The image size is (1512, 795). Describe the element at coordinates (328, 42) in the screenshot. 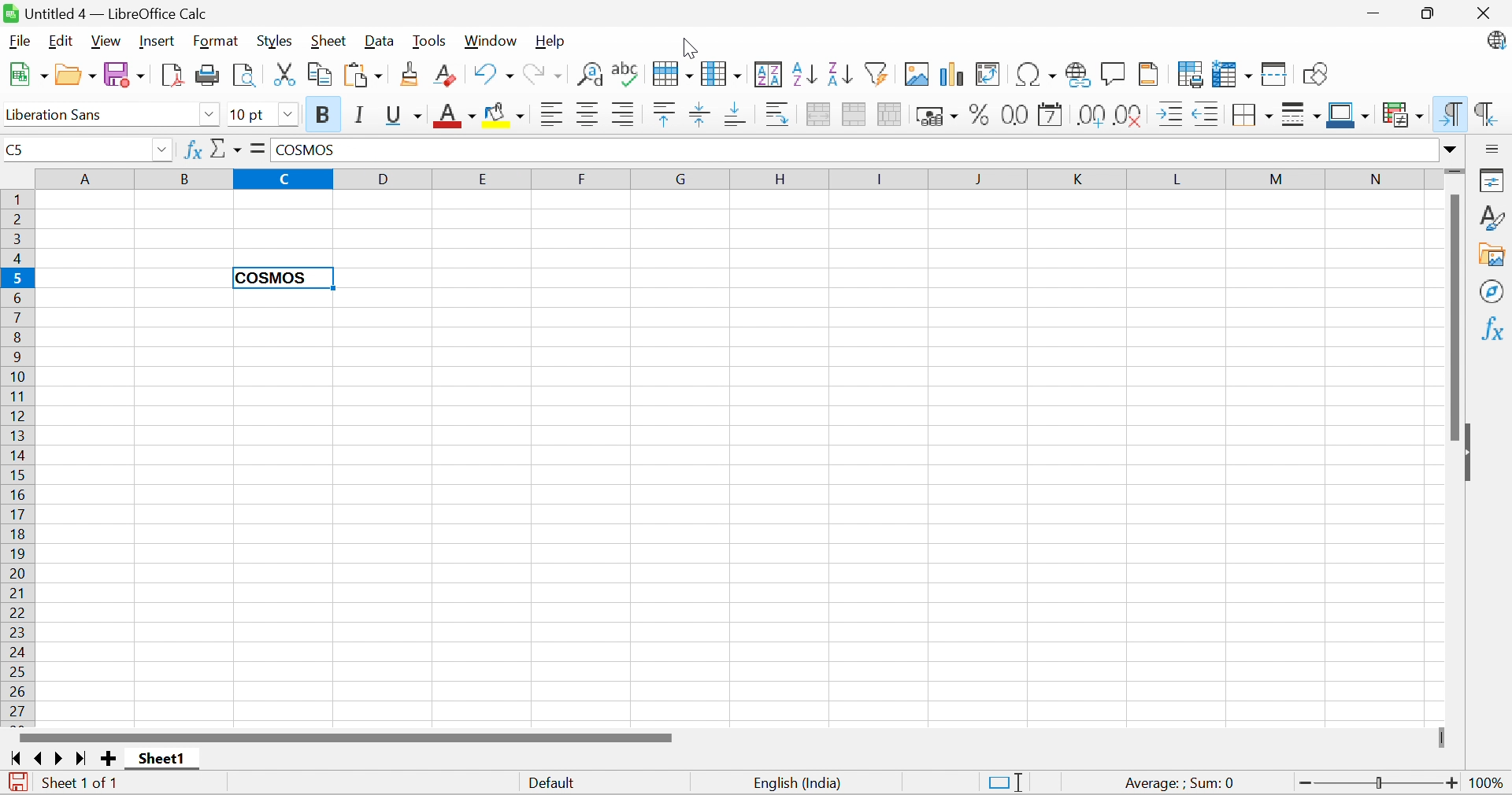

I see `Sheet` at that location.